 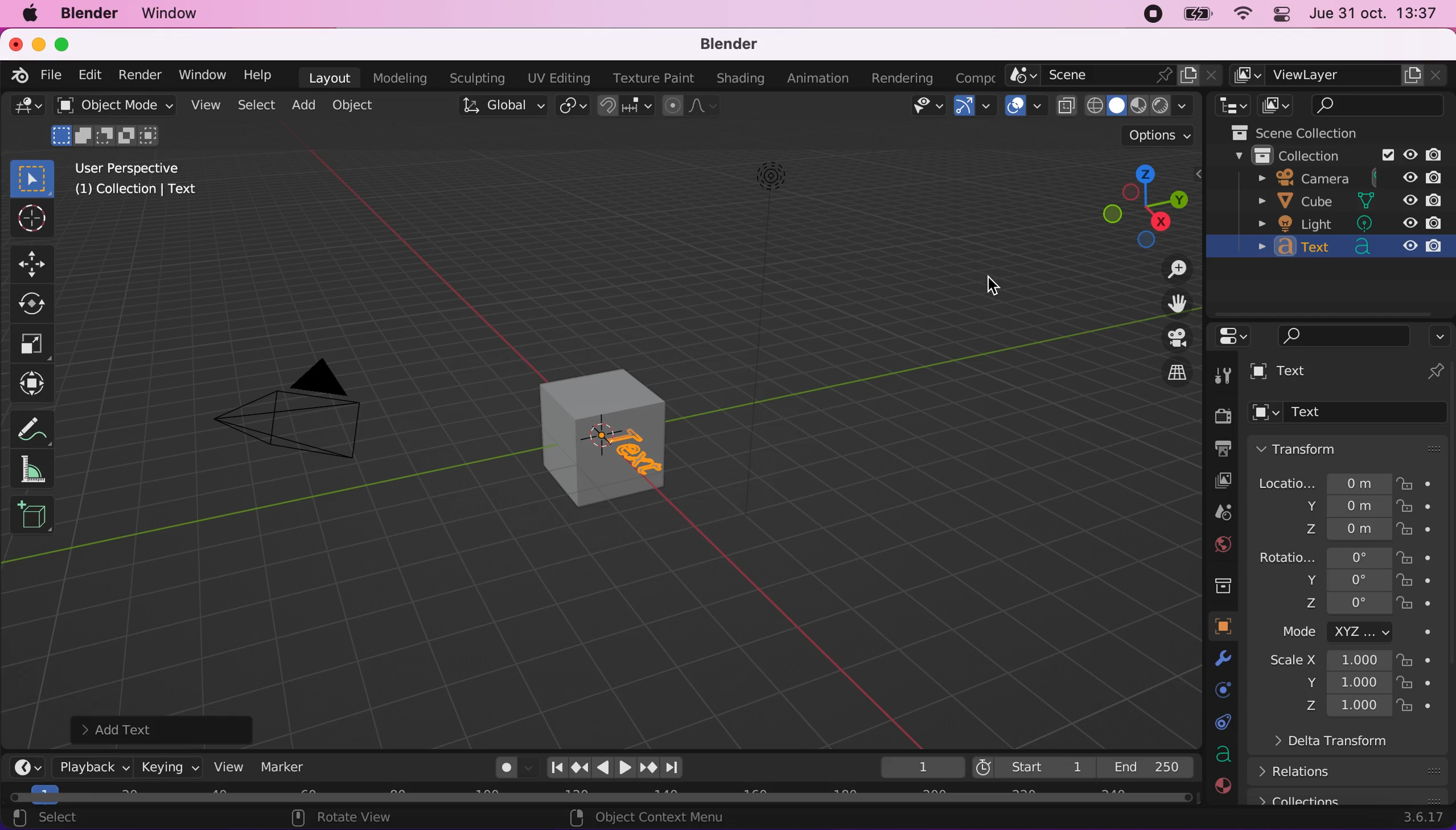 What do you see at coordinates (689, 107) in the screenshot?
I see `proportional editing objects` at bounding box center [689, 107].